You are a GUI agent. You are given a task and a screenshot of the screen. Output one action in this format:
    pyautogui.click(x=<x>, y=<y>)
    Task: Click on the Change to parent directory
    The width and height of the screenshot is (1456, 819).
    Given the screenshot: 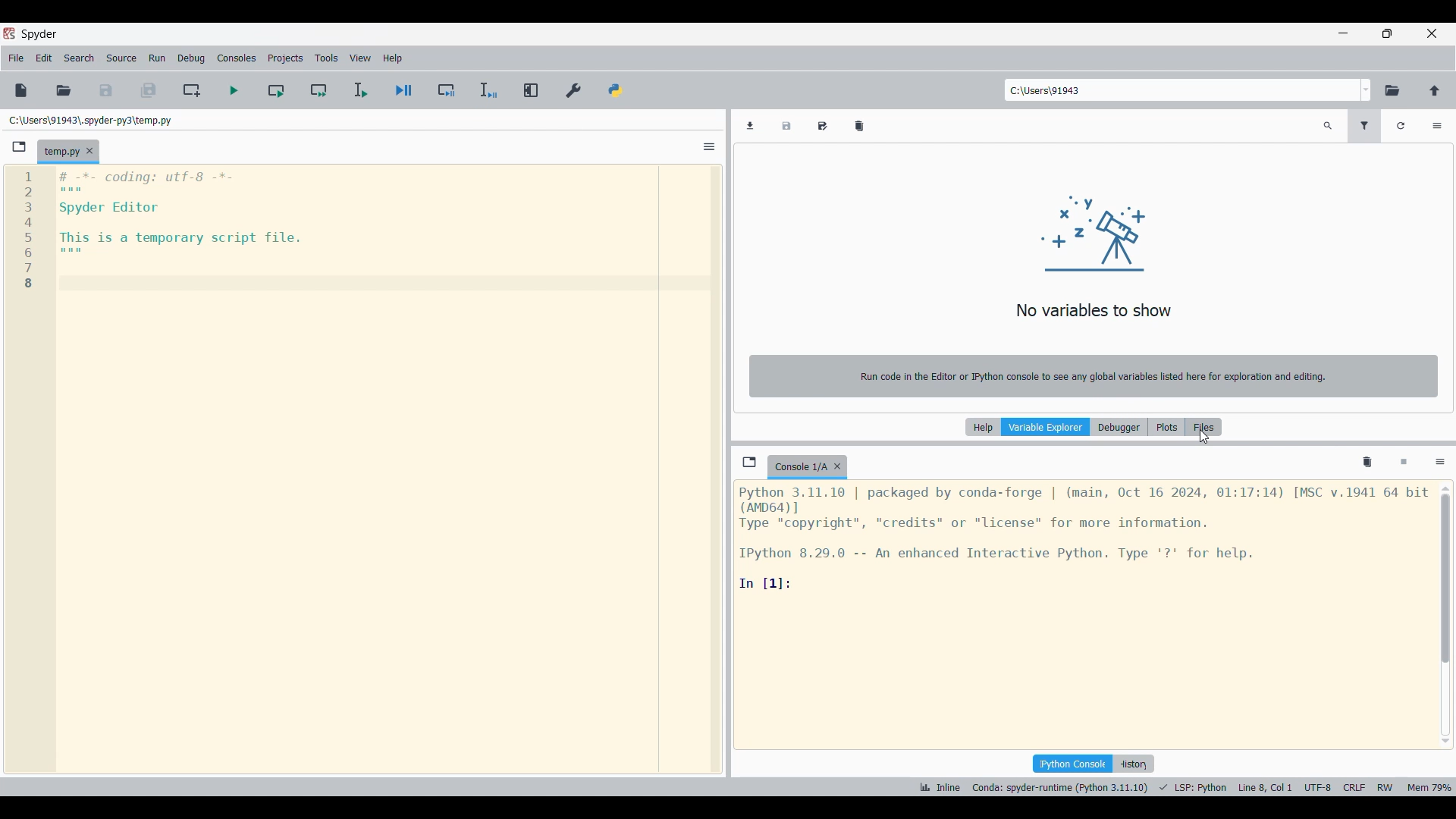 What is the action you would take?
    pyautogui.click(x=1435, y=91)
    